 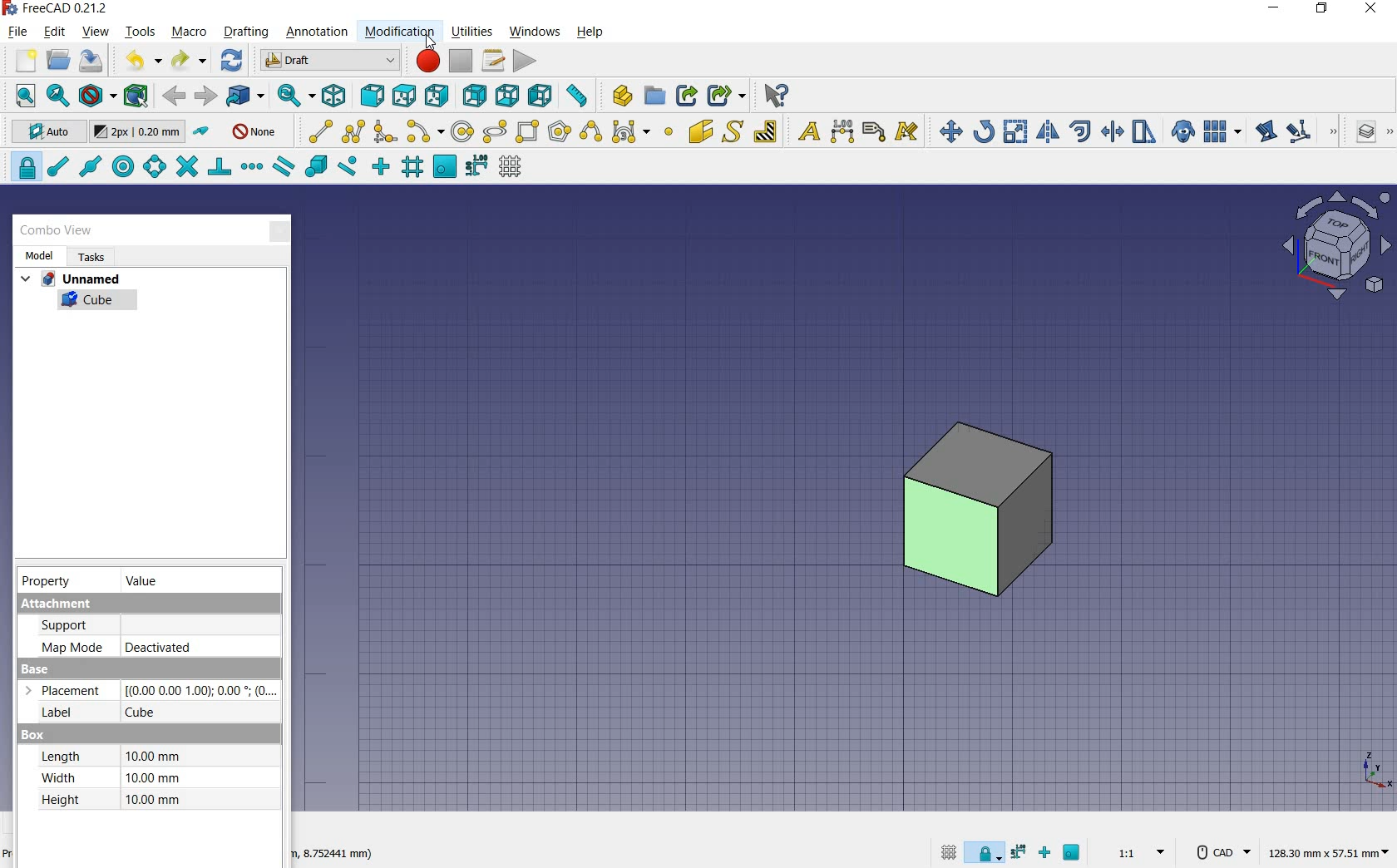 What do you see at coordinates (254, 133) in the screenshot?
I see `autogroup off` at bounding box center [254, 133].